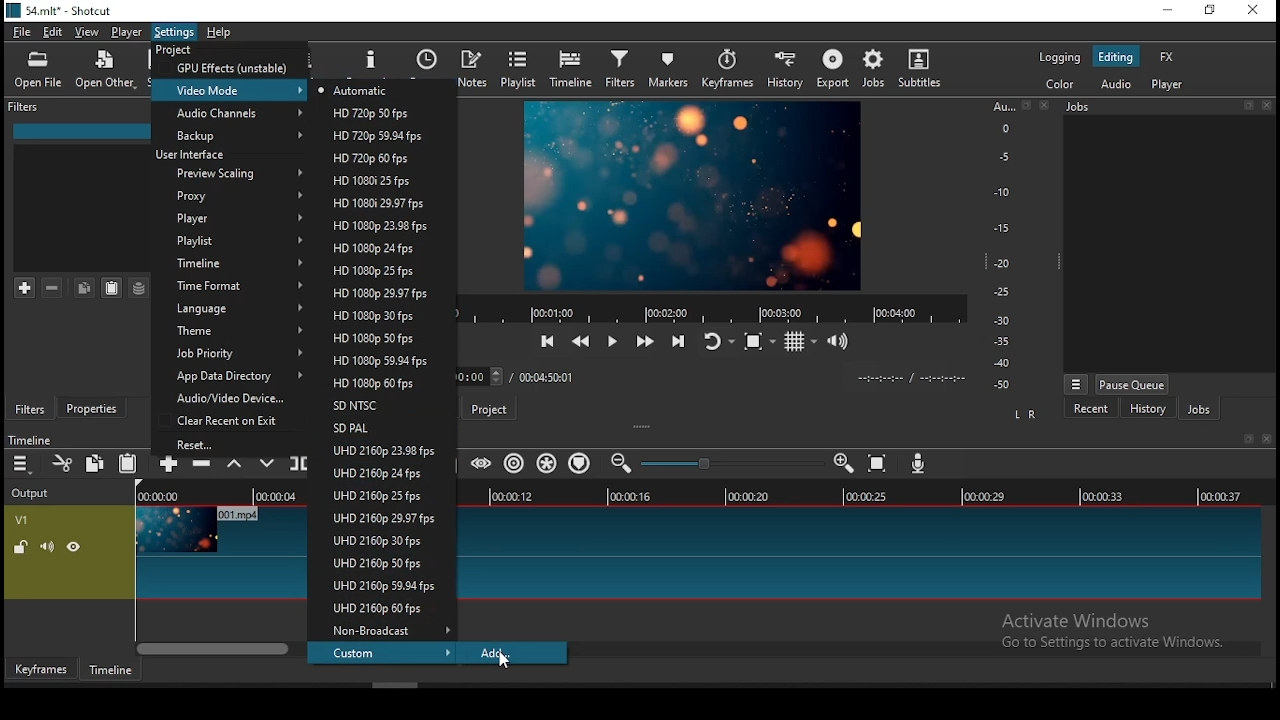  Describe the element at coordinates (378, 248) in the screenshot. I see `resolution option` at that location.